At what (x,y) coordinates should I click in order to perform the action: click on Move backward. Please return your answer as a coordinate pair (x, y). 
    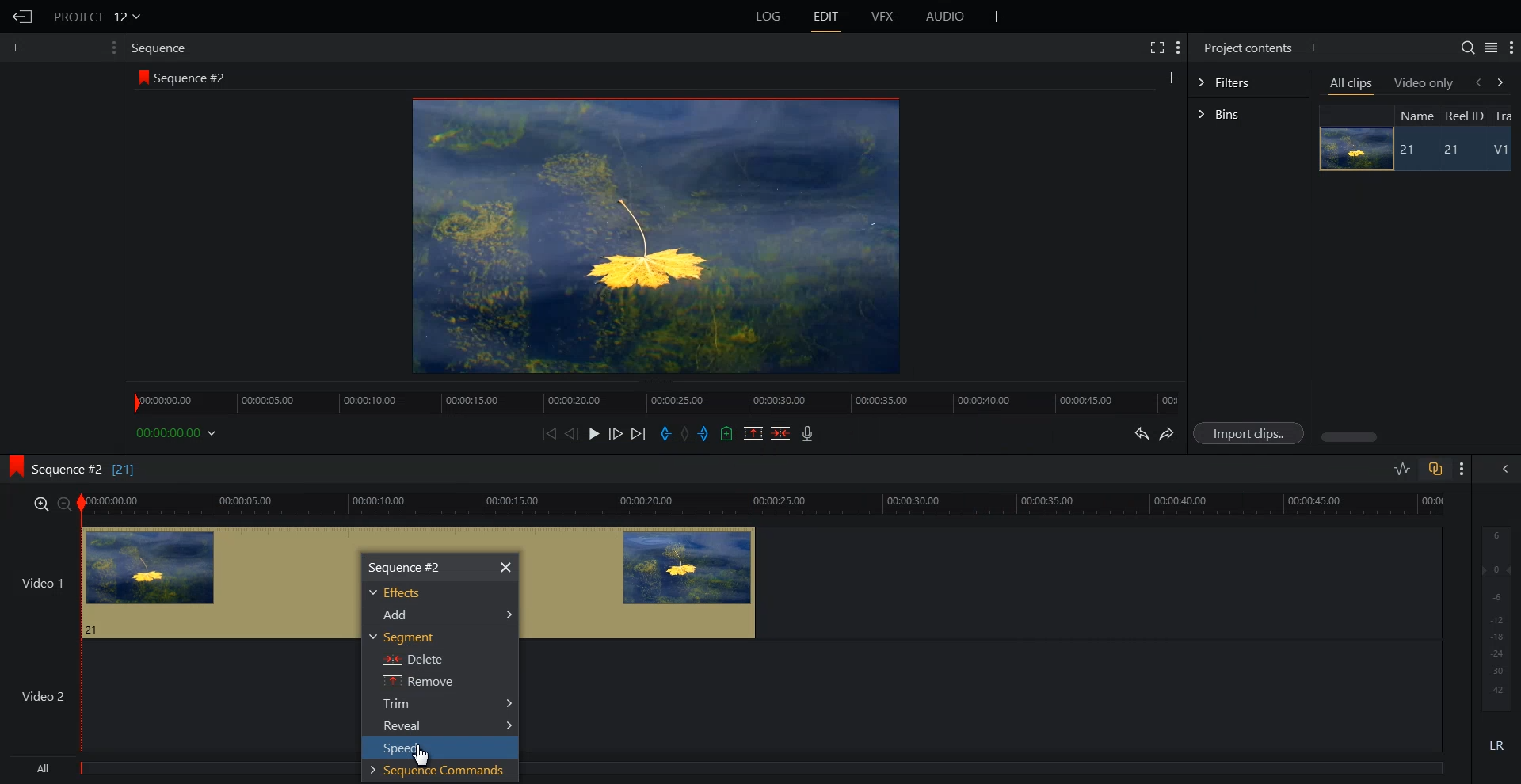
    Looking at the image, I should click on (551, 433).